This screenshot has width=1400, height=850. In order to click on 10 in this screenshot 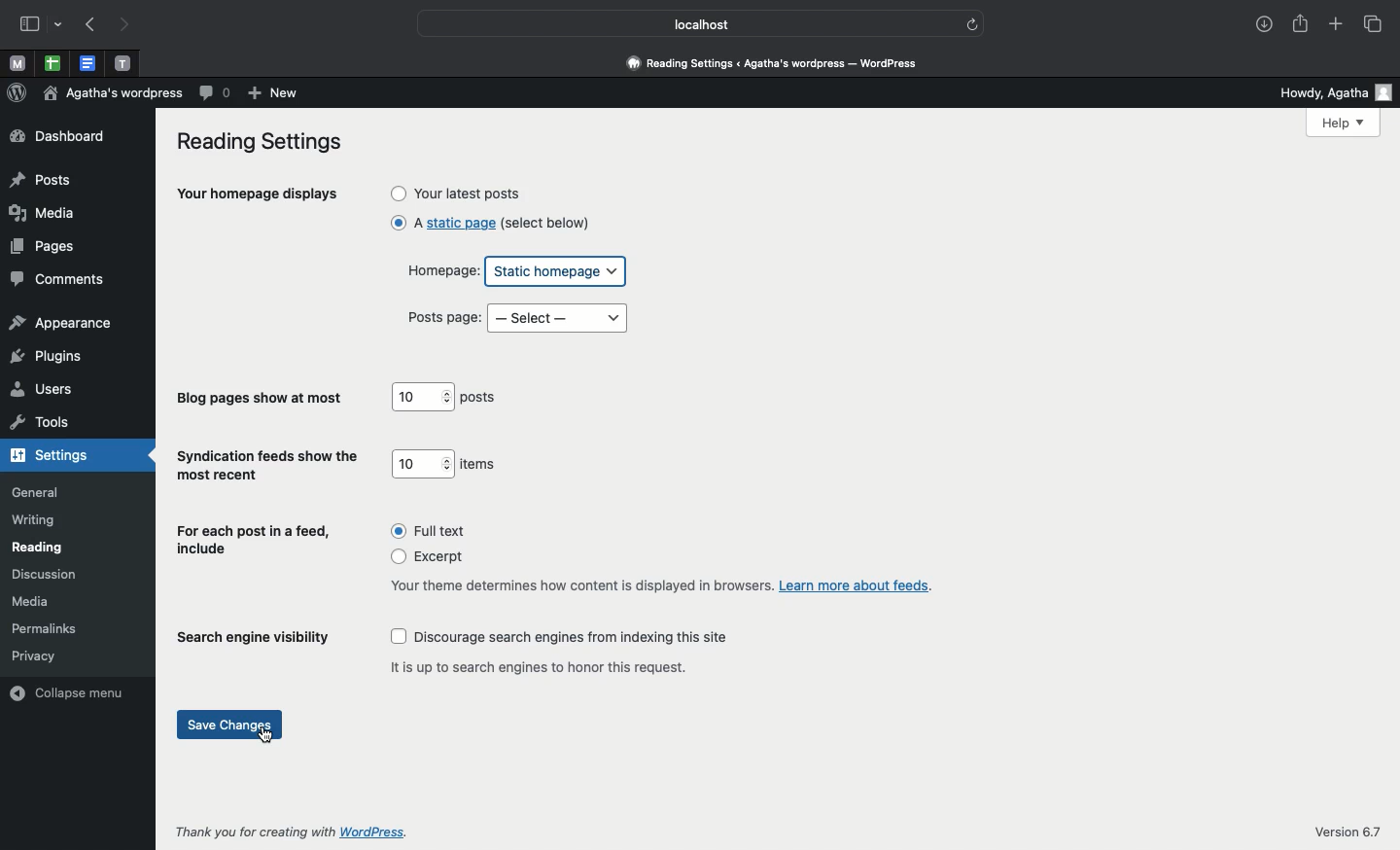, I will do `click(422, 397)`.